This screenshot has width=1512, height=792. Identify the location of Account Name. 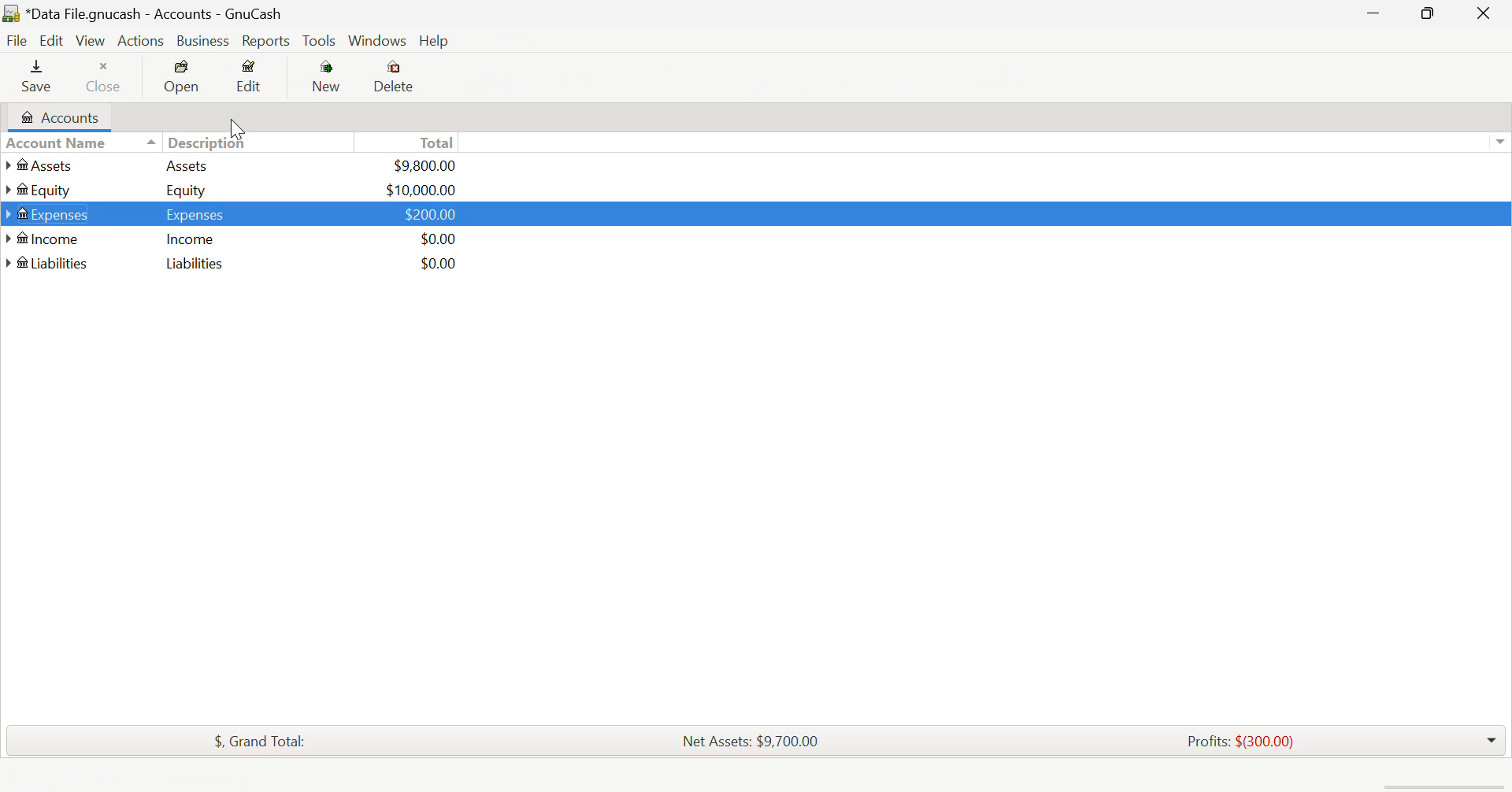
(58, 143).